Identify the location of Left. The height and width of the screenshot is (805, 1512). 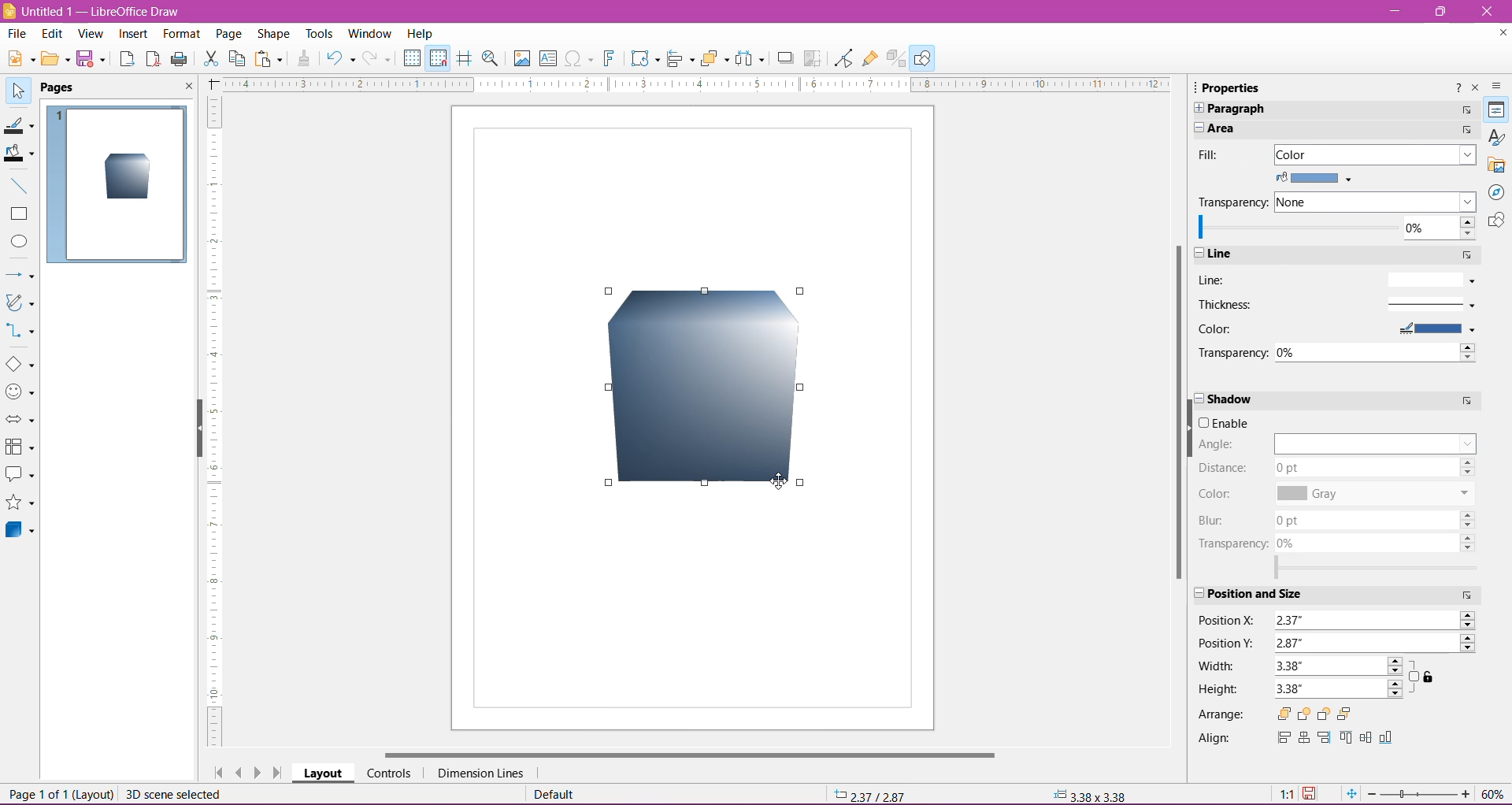
(1282, 739).